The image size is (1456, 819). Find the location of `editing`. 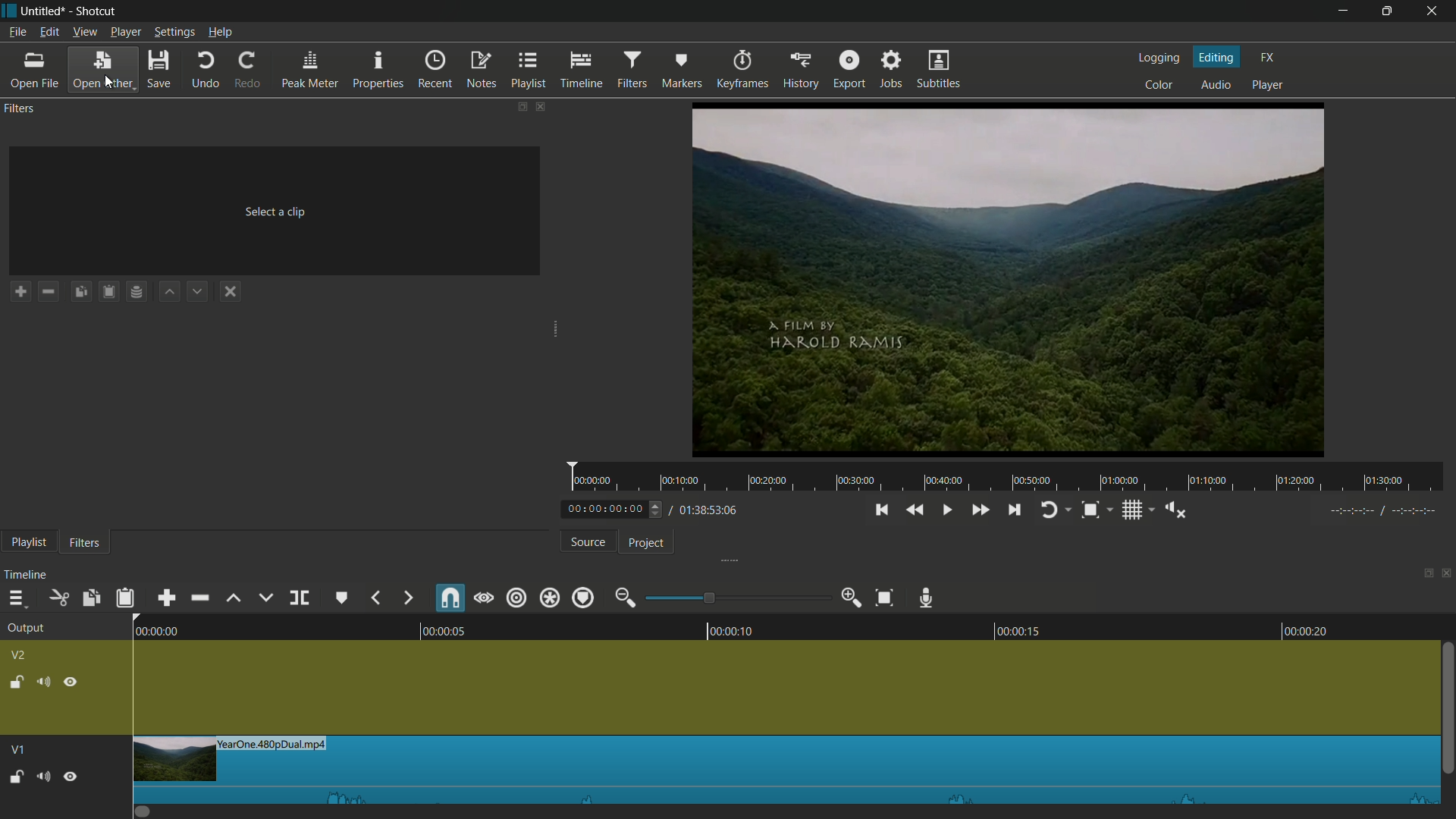

editing is located at coordinates (1217, 57).